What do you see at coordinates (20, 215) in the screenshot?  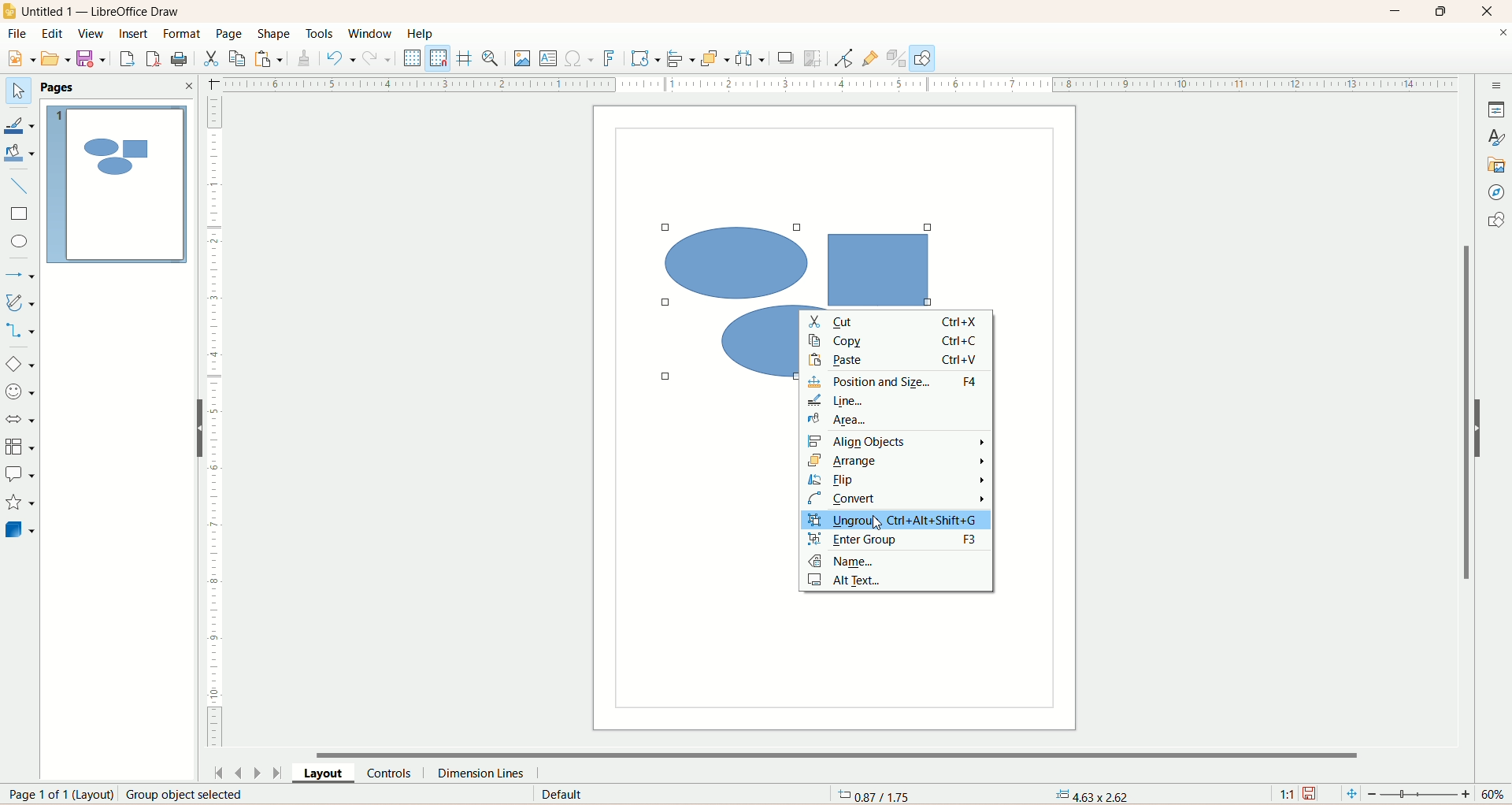 I see `rectangle` at bounding box center [20, 215].